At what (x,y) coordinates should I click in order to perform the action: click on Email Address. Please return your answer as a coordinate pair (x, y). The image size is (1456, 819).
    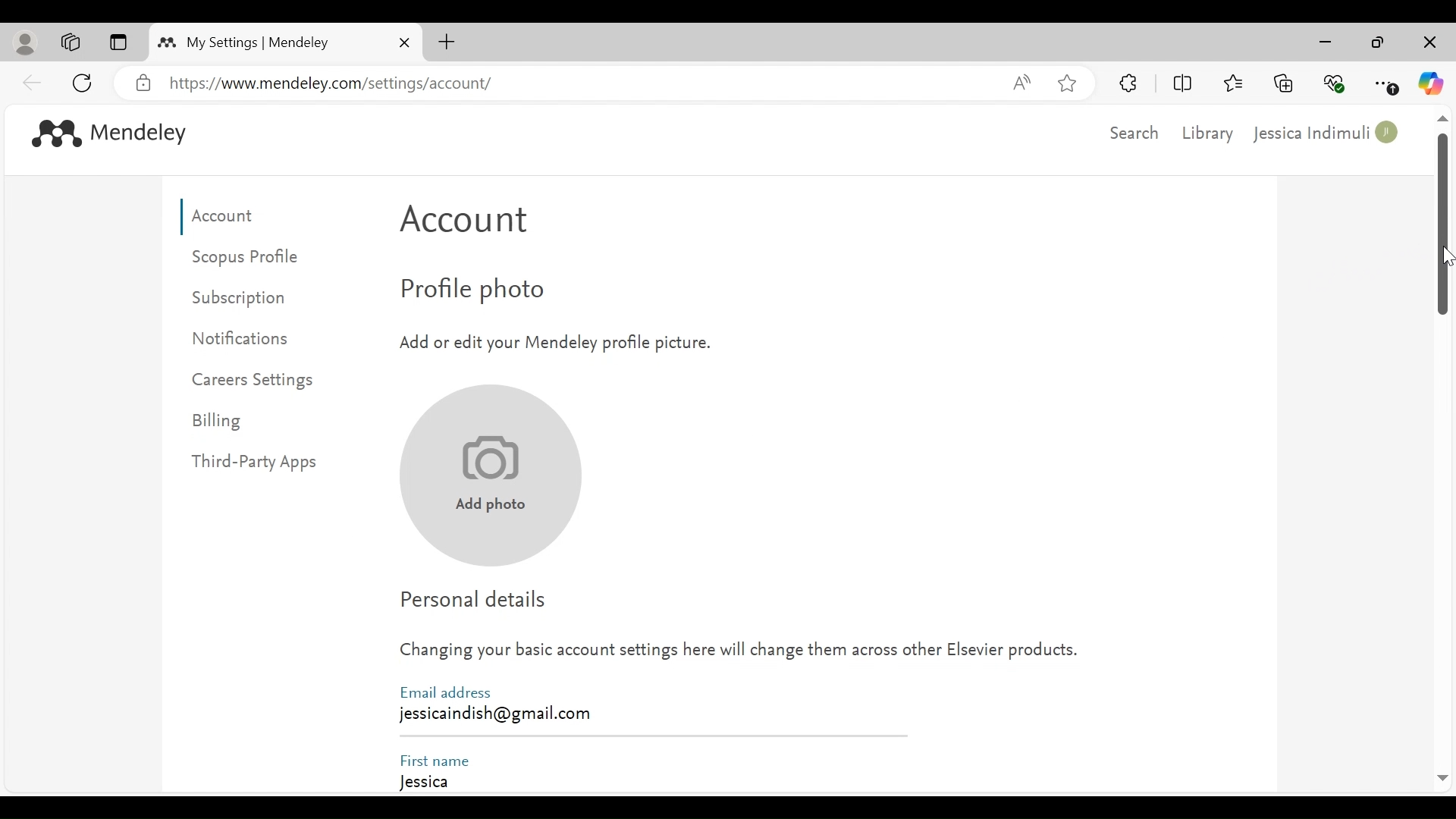
    Looking at the image, I should click on (450, 692).